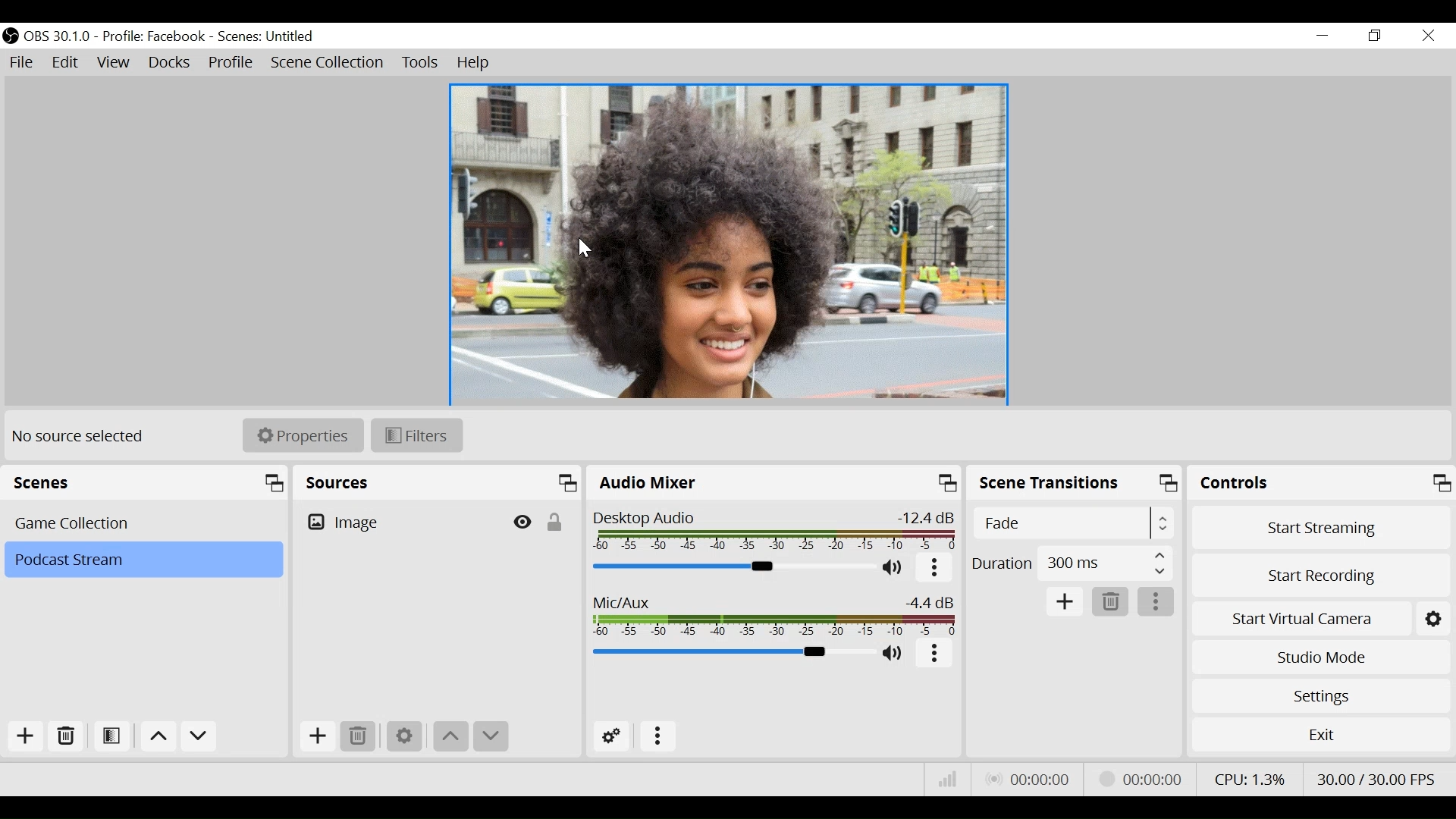 Image resolution: width=1456 pixels, height=819 pixels. I want to click on Settings, so click(1323, 694).